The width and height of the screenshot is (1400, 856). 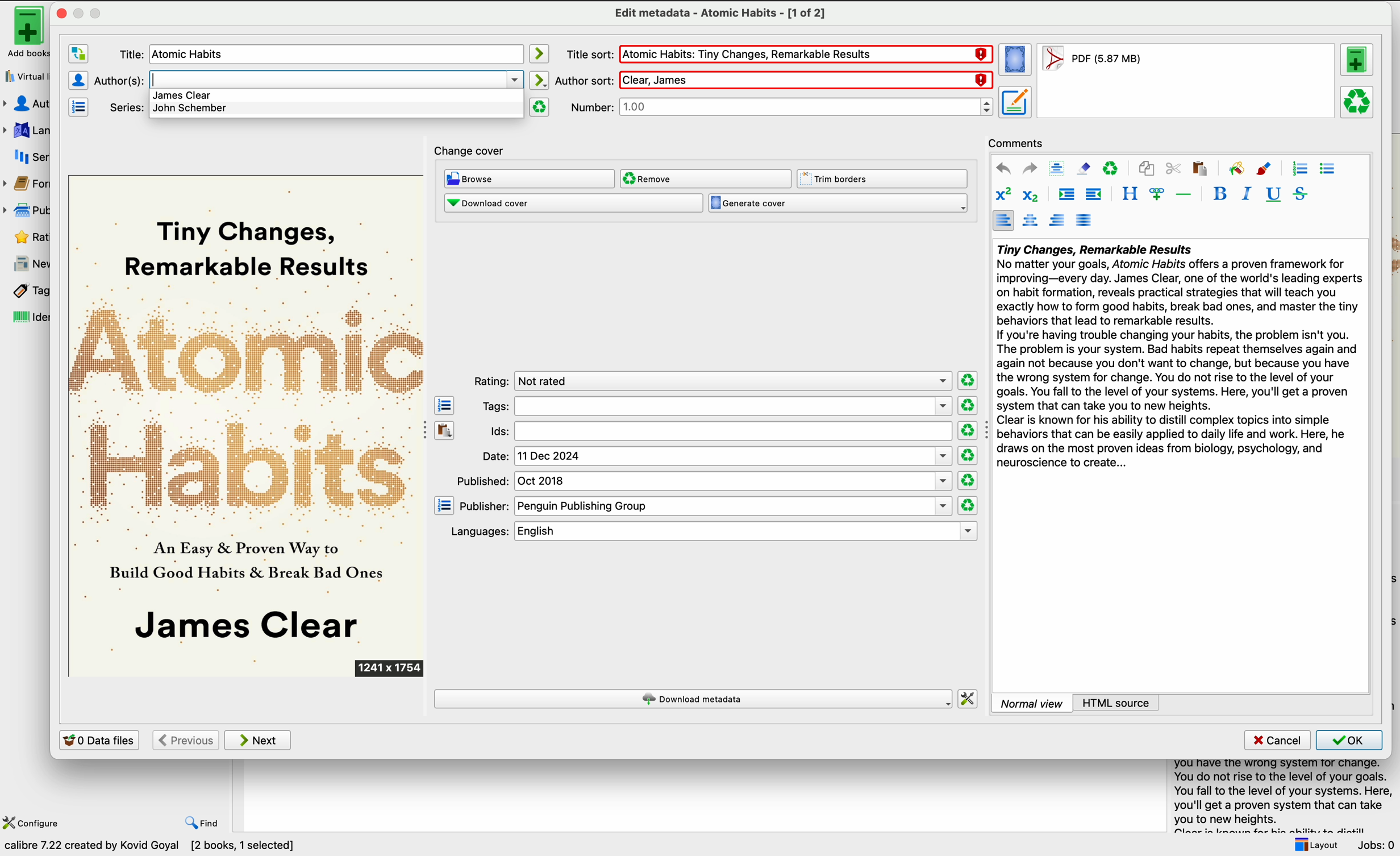 What do you see at coordinates (27, 157) in the screenshot?
I see `series` at bounding box center [27, 157].